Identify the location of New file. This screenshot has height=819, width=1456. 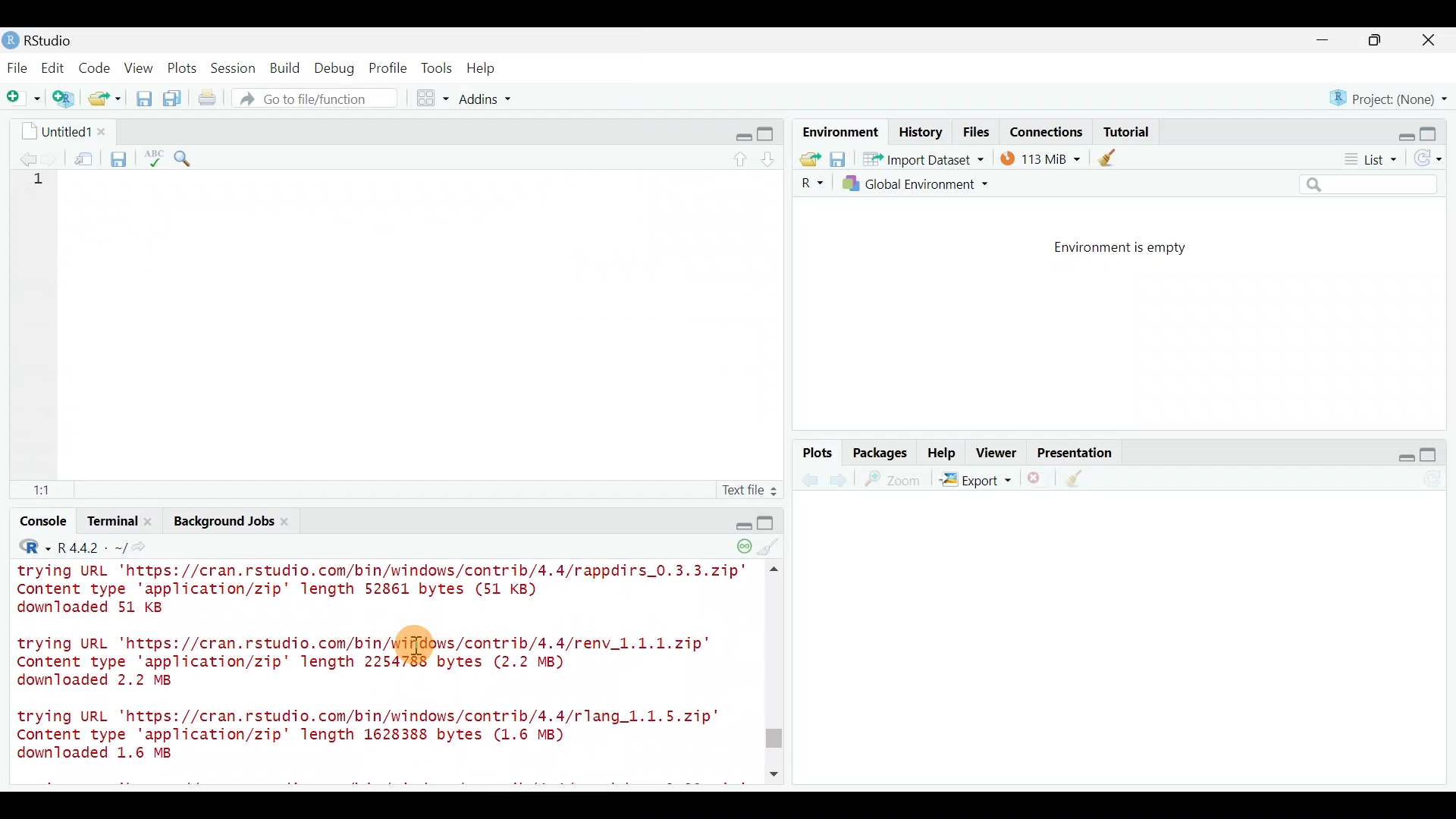
(22, 99).